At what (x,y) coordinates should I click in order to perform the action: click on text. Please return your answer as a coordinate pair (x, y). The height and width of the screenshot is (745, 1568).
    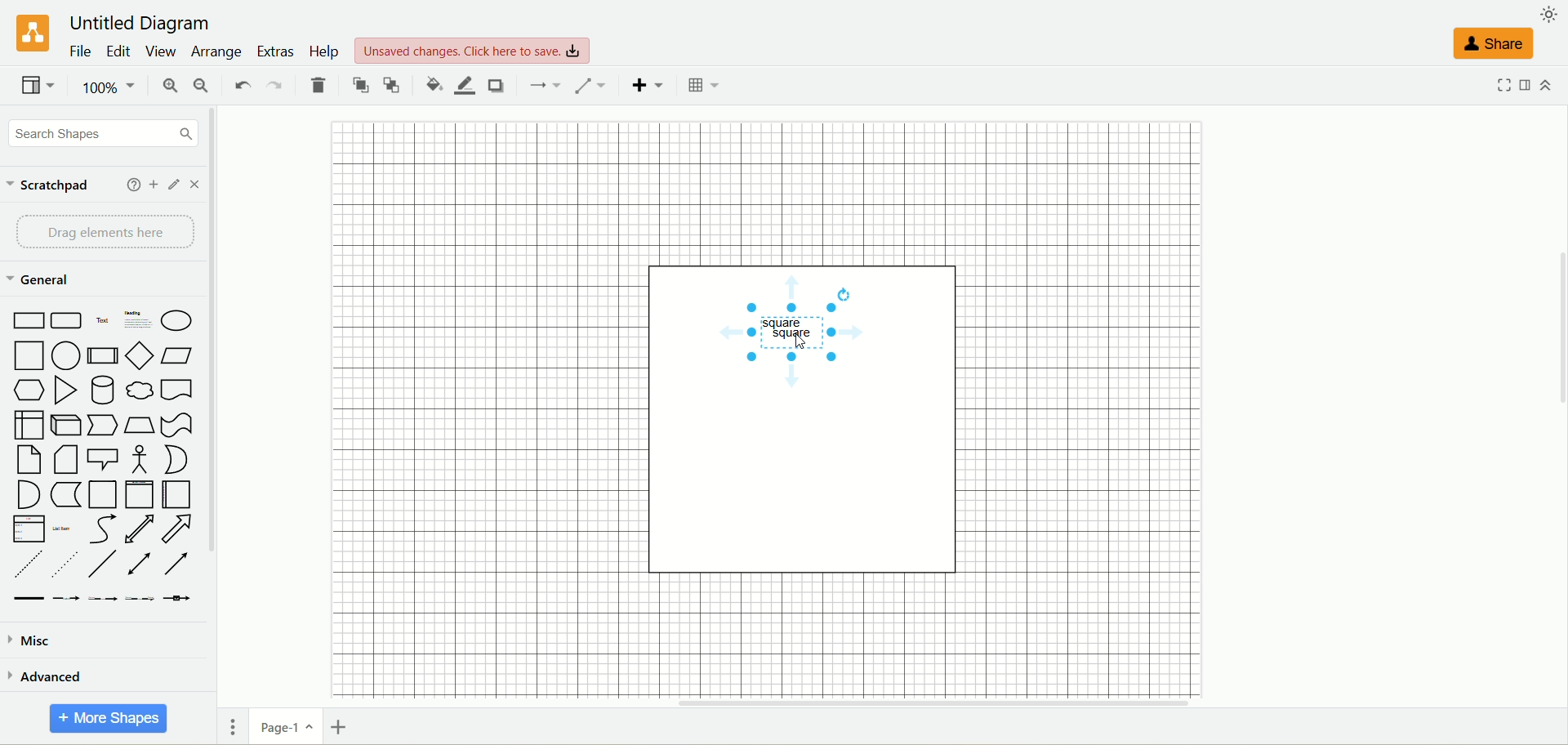
    Looking at the image, I should click on (476, 51).